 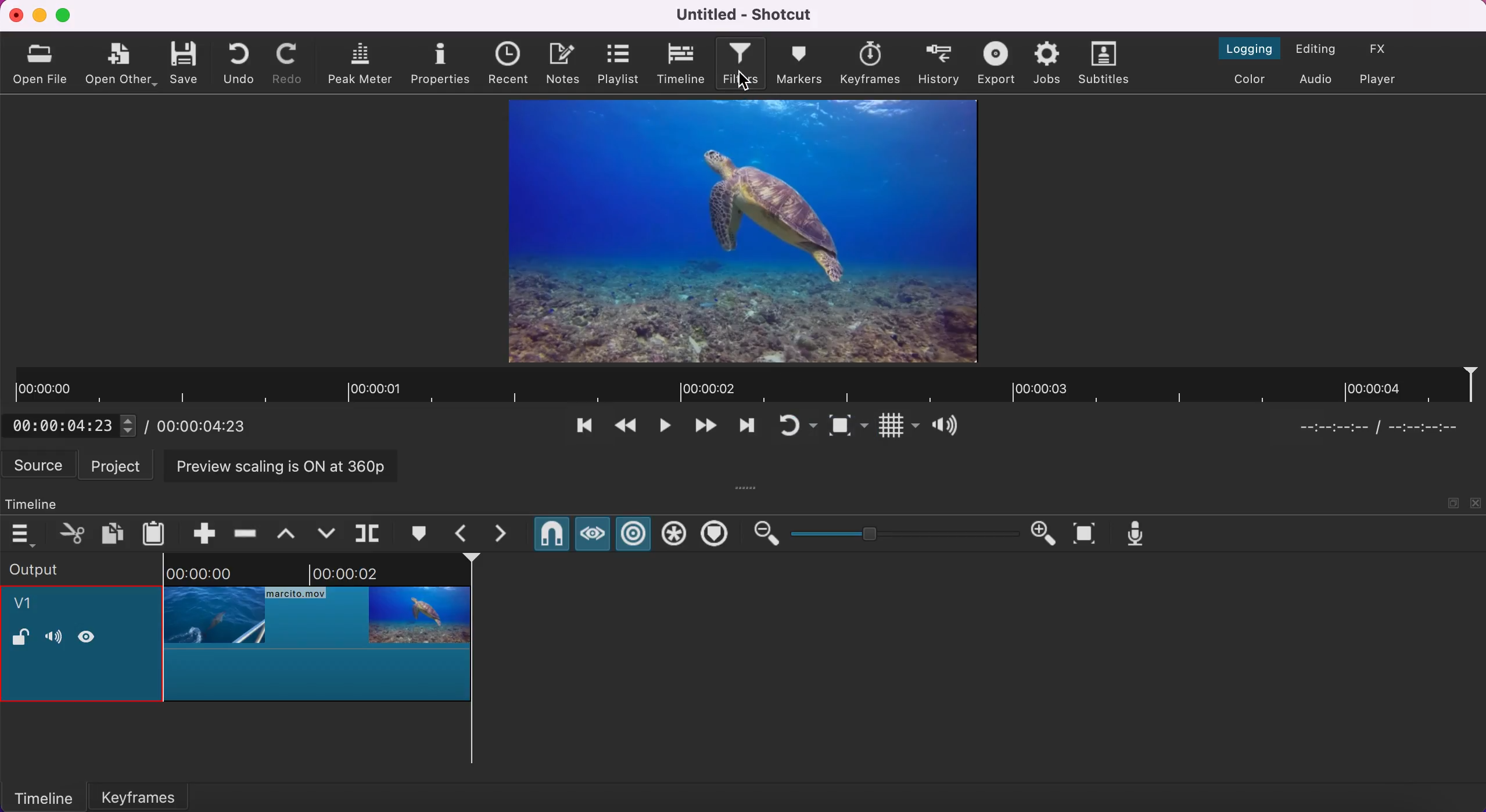 What do you see at coordinates (73, 533) in the screenshot?
I see `cut` at bounding box center [73, 533].